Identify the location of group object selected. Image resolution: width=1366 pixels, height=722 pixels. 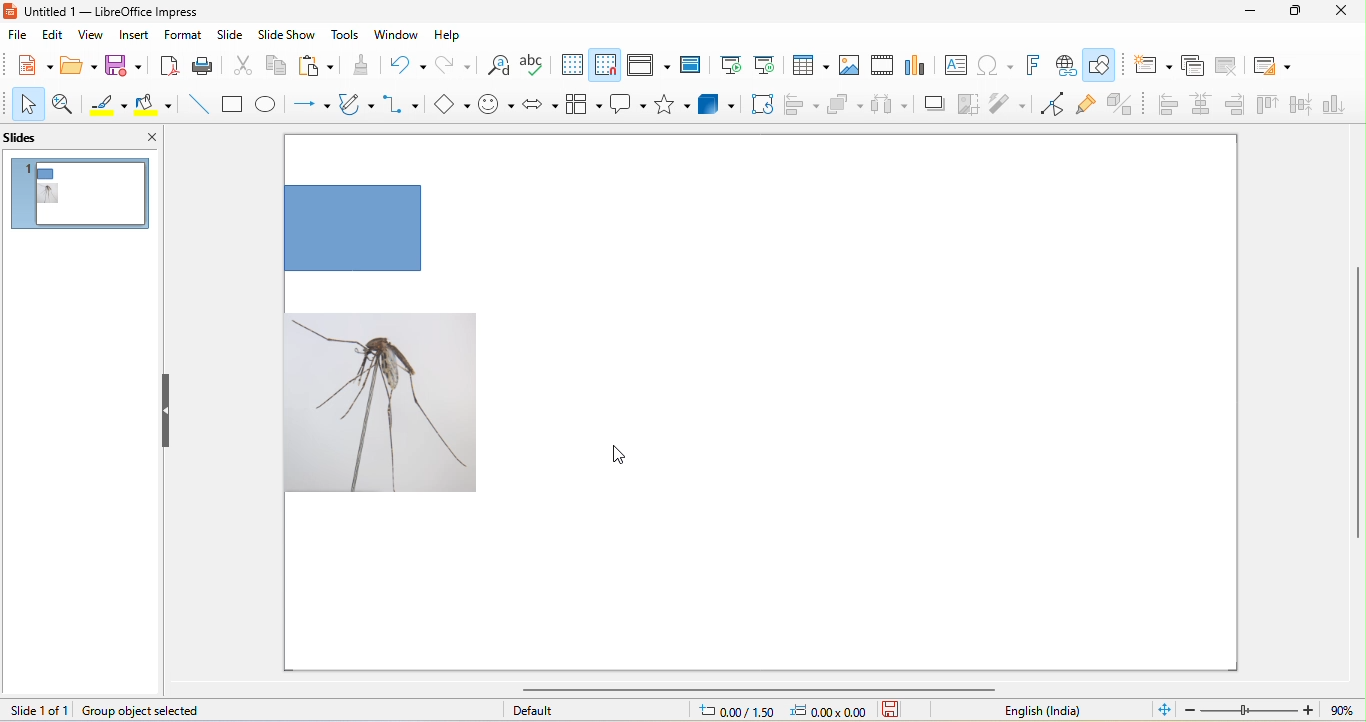
(169, 709).